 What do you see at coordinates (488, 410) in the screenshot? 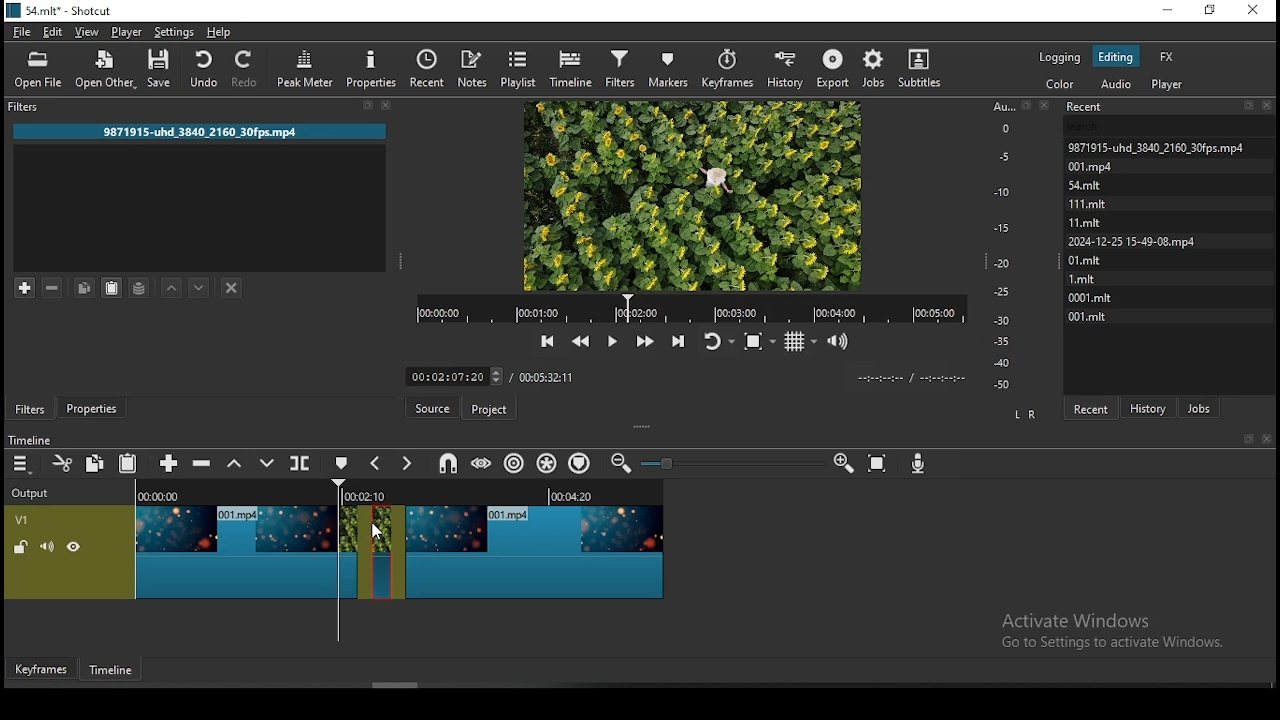
I see `project` at bounding box center [488, 410].